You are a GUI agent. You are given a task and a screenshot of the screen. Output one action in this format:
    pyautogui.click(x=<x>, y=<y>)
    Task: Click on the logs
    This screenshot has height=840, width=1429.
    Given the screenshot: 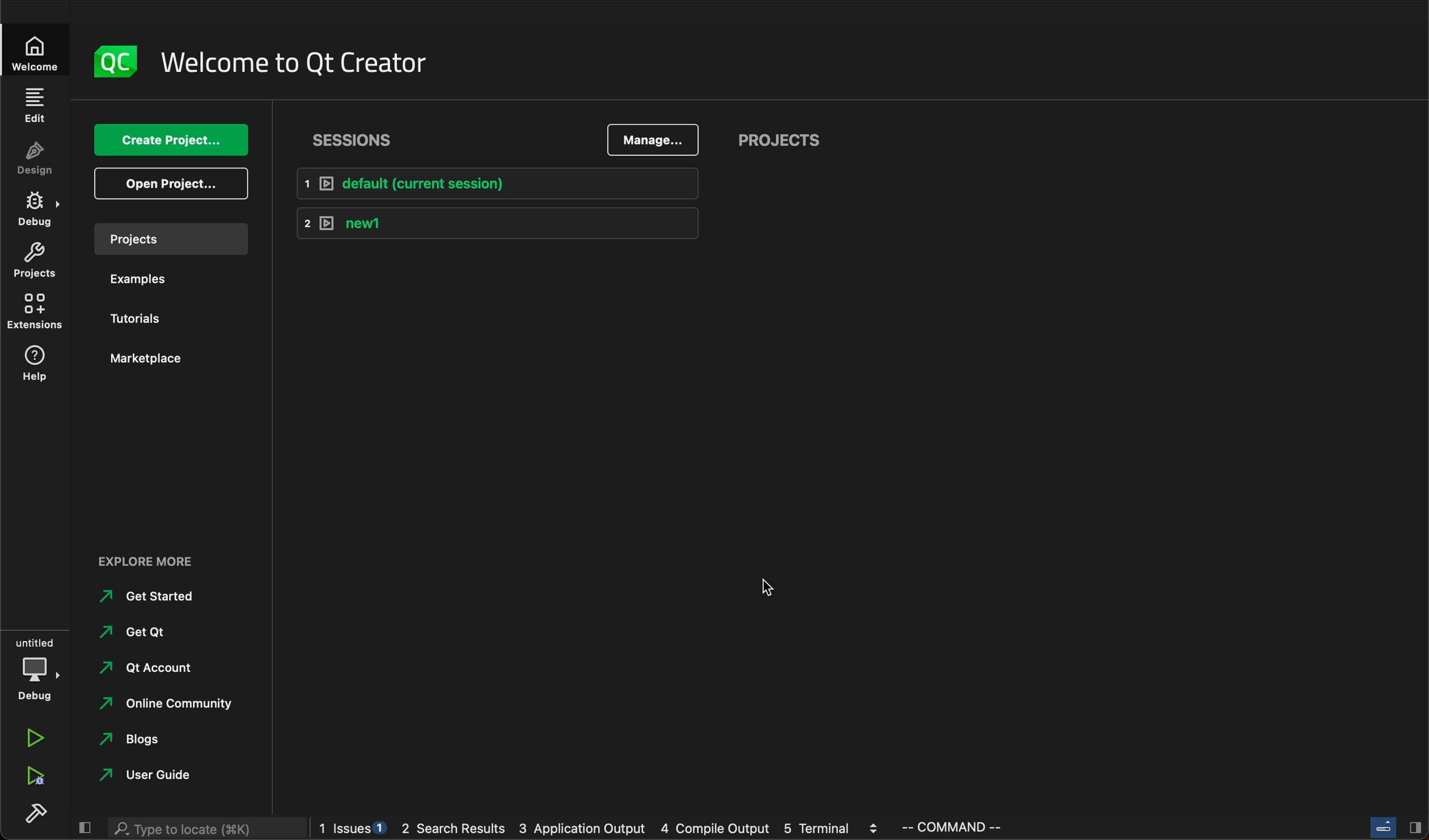 What is the action you would take?
    pyautogui.click(x=599, y=828)
    